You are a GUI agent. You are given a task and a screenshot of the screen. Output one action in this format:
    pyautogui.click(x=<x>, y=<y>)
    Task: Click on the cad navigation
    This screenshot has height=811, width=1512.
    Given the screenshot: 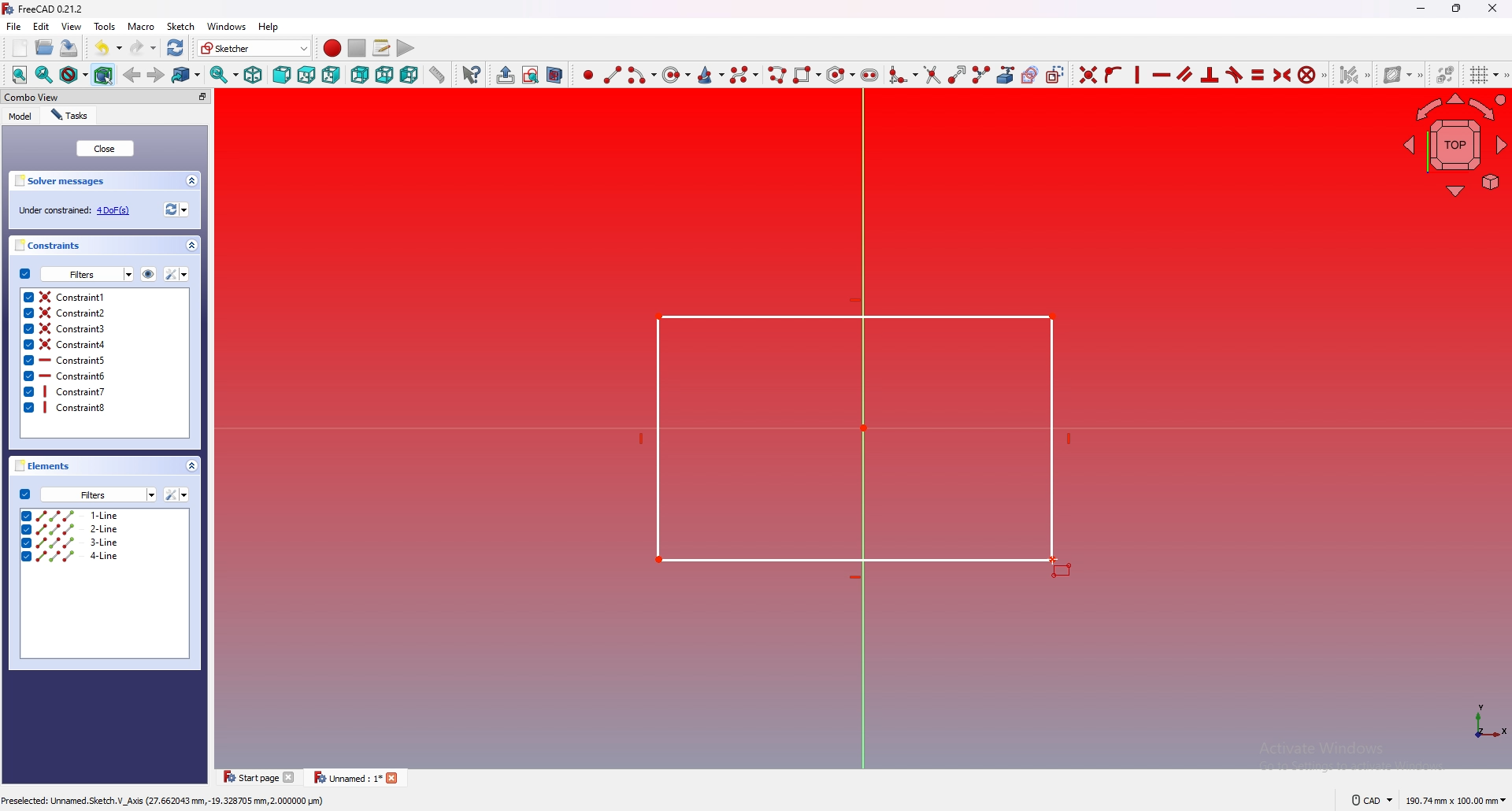 What is the action you would take?
    pyautogui.click(x=1373, y=800)
    